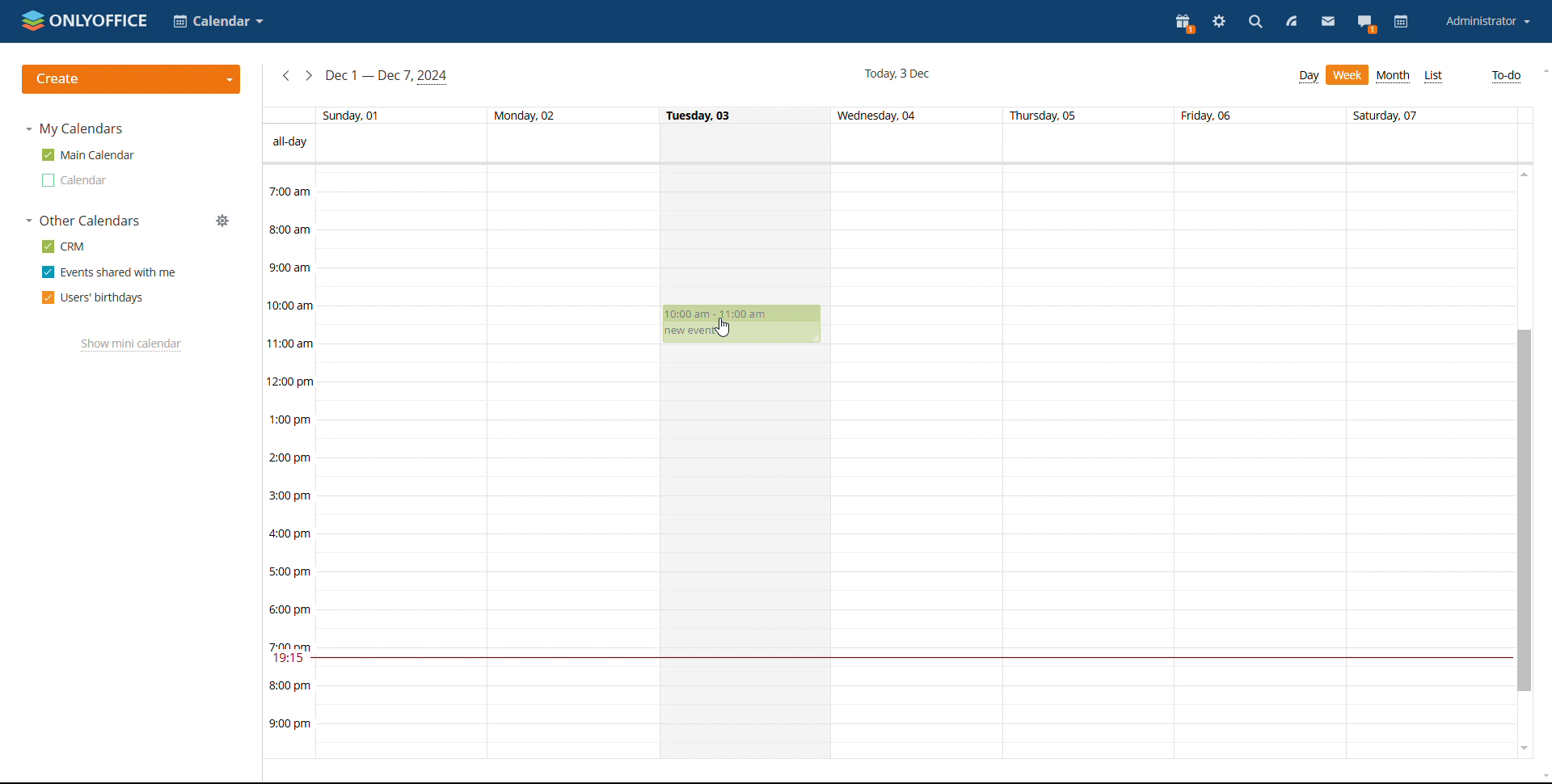  What do you see at coordinates (290, 660) in the screenshot?
I see `19:15` at bounding box center [290, 660].